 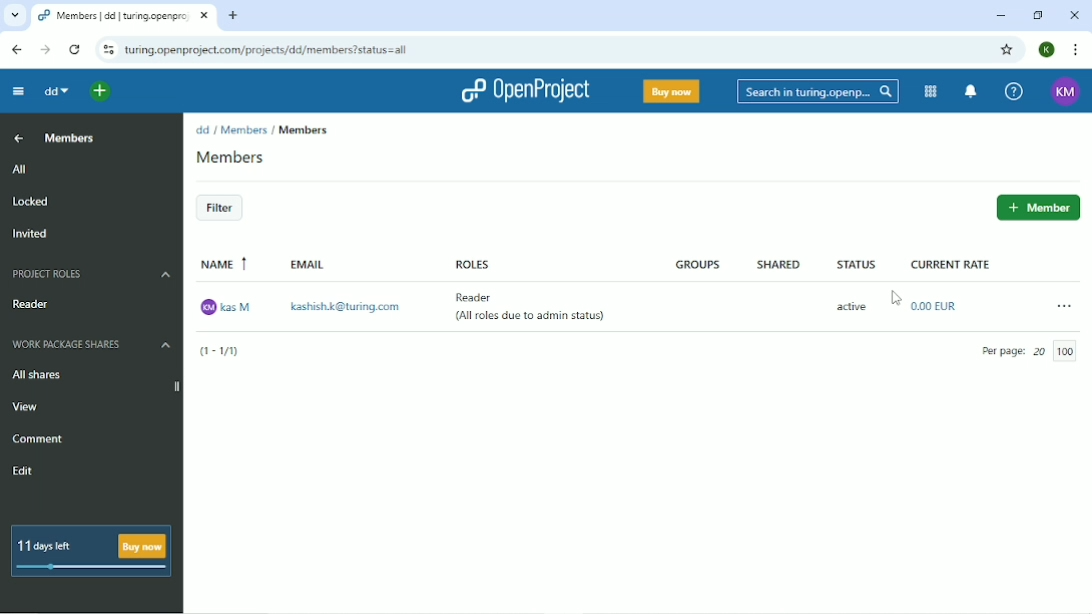 I want to click on Customize and control google chrome, so click(x=1074, y=50).